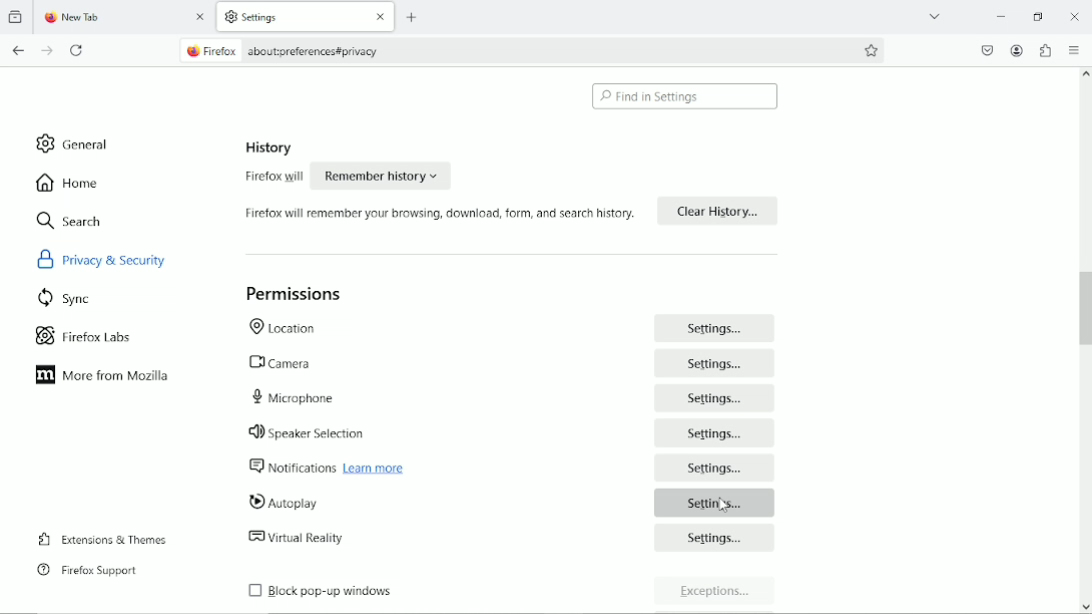 The height and width of the screenshot is (614, 1092). I want to click on go back, so click(19, 50).